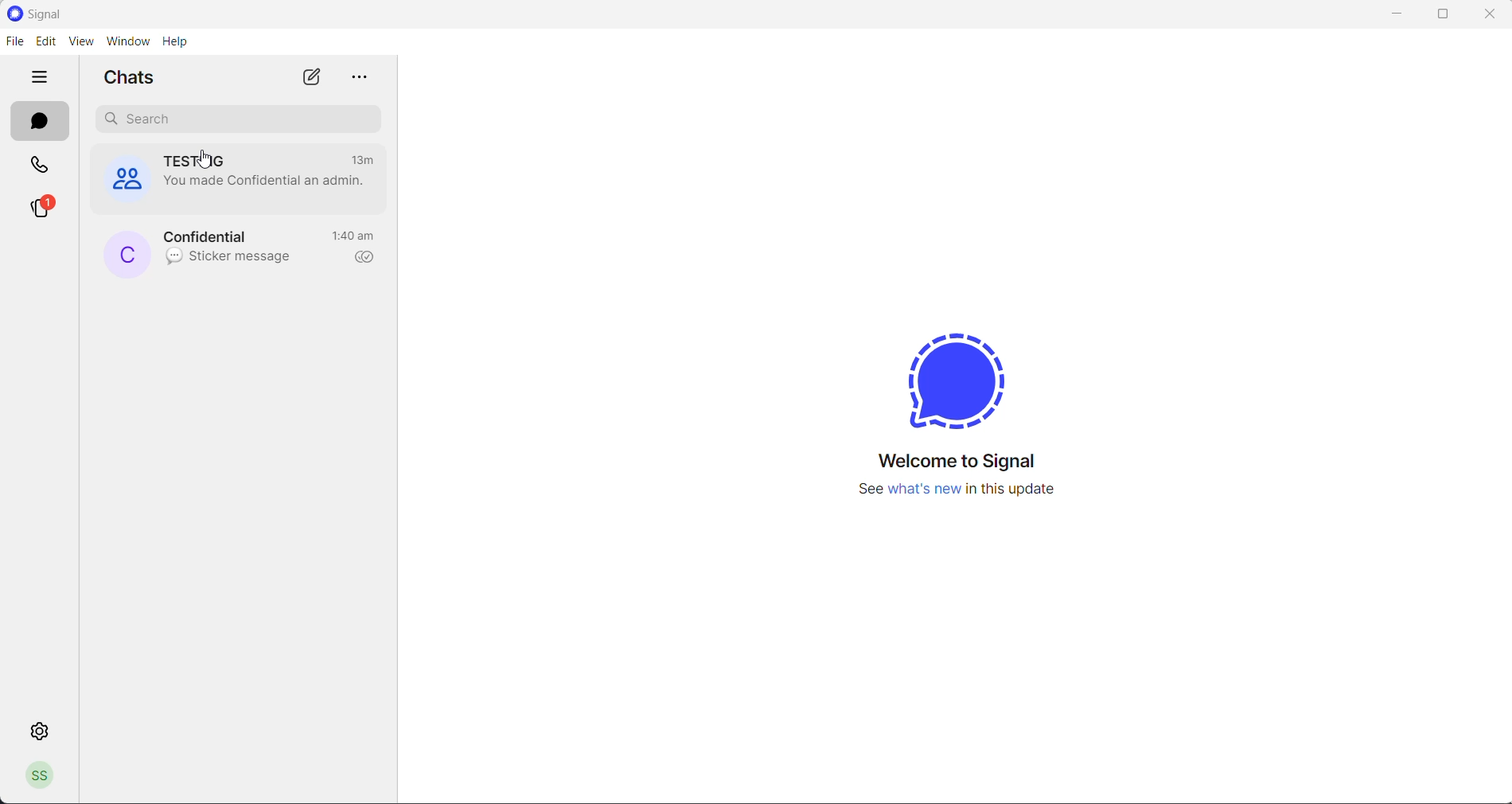 The width and height of the screenshot is (1512, 804). Describe the element at coordinates (1444, 16) in the screenshot. I see `maximize` at that location.